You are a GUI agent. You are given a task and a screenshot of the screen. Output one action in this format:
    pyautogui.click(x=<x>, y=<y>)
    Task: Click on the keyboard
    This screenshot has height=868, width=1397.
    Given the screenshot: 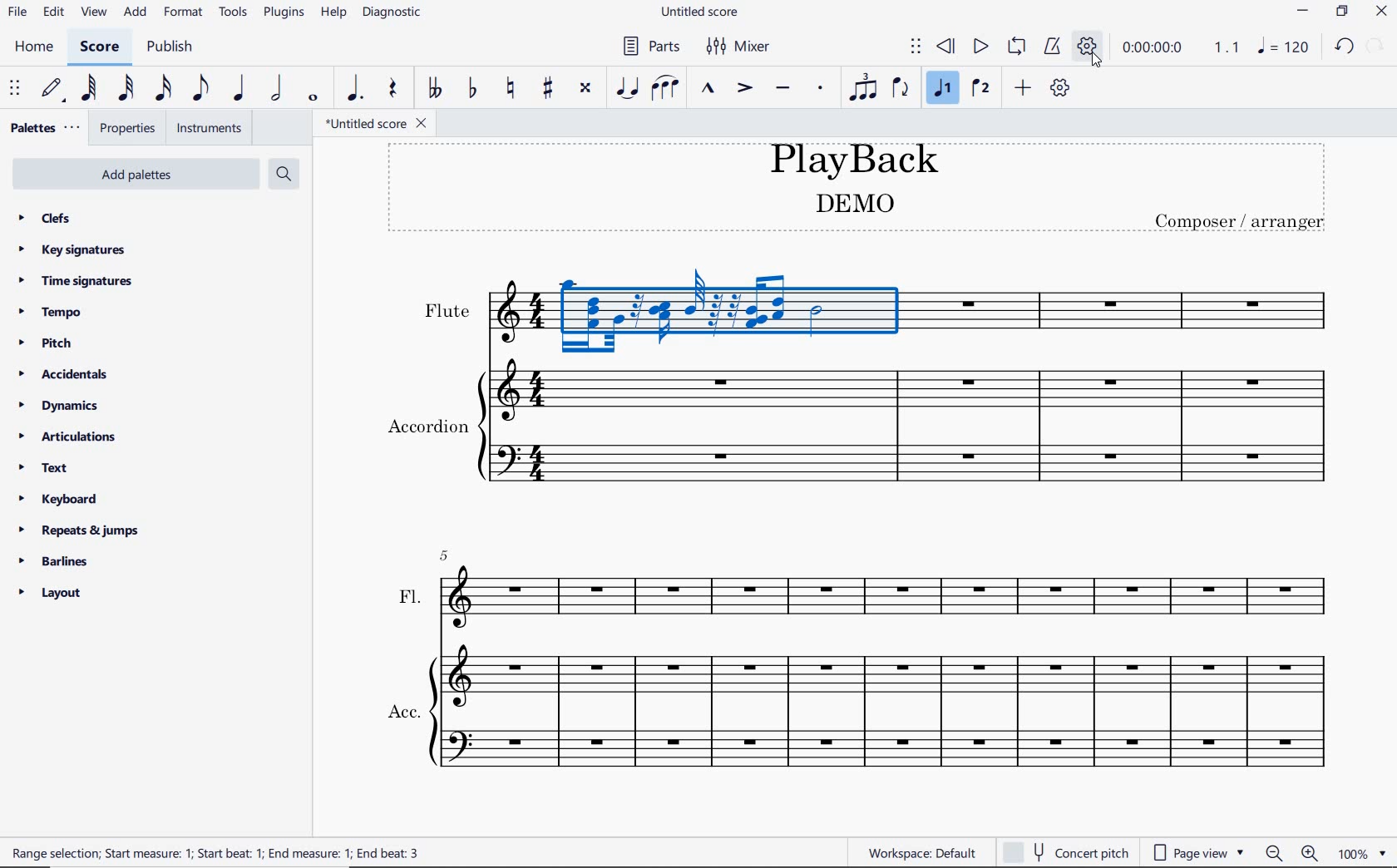 What is the action you would take?
    pyautogui.click(x=59, y=499)
    